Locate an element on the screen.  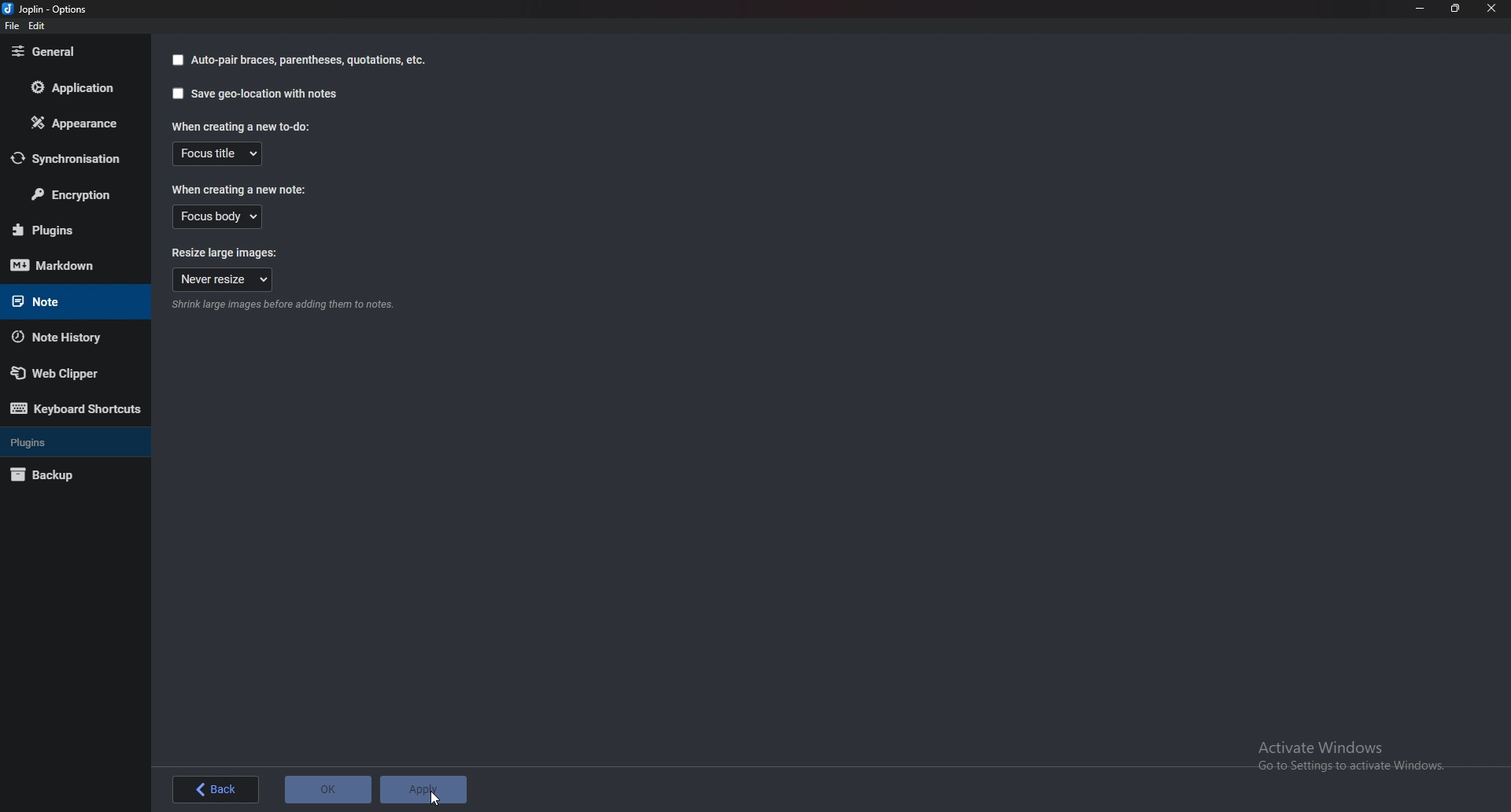
Apply is located at coordinates (425, 789).